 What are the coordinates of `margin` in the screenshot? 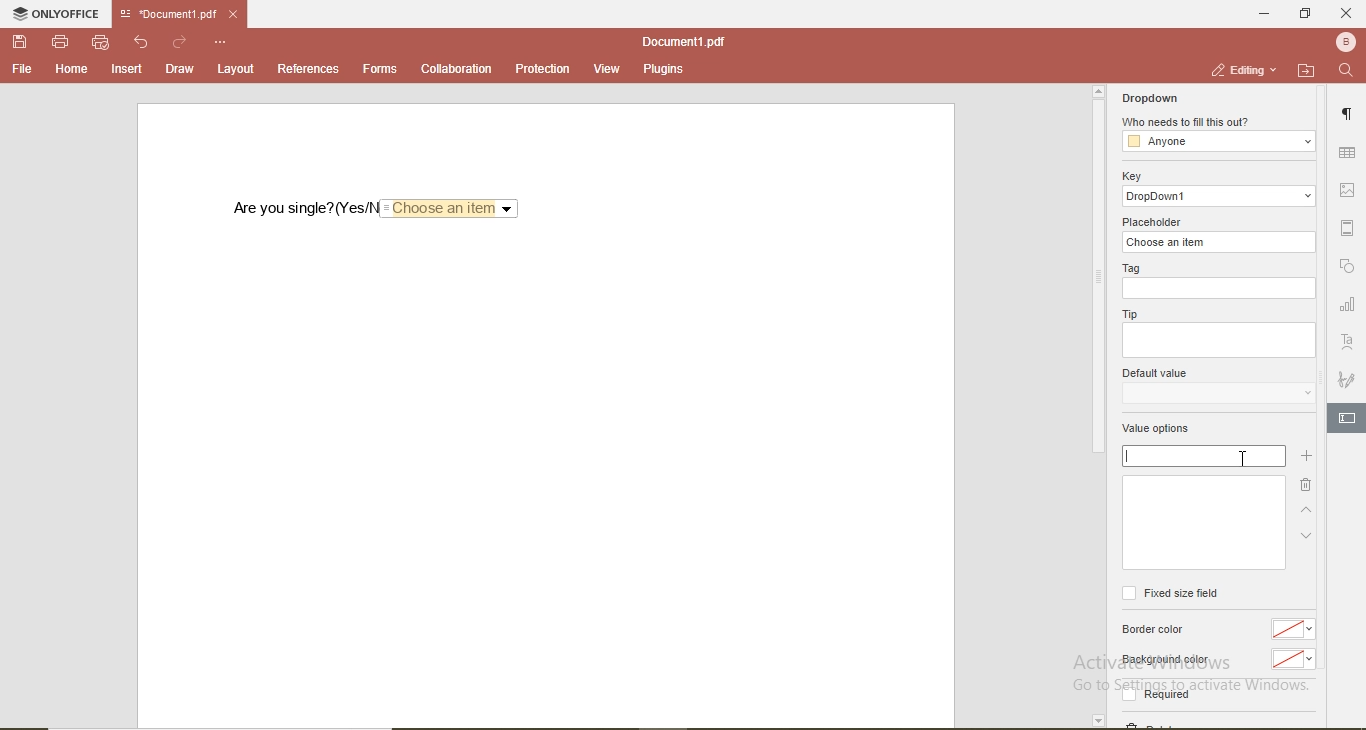 It's located at (1348, 225).